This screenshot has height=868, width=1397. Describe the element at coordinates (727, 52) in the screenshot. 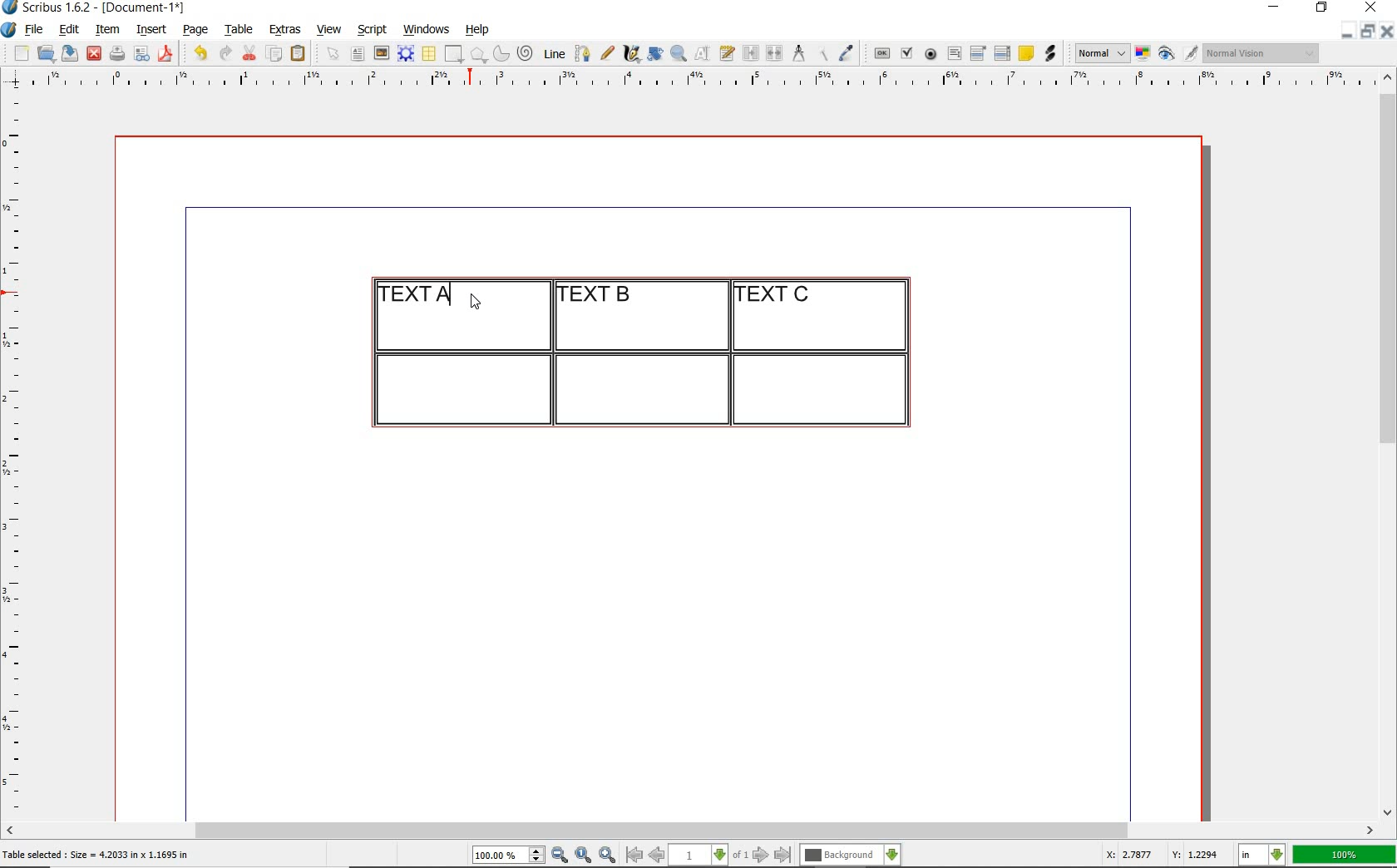

I see `edit text with story editor` at that location.